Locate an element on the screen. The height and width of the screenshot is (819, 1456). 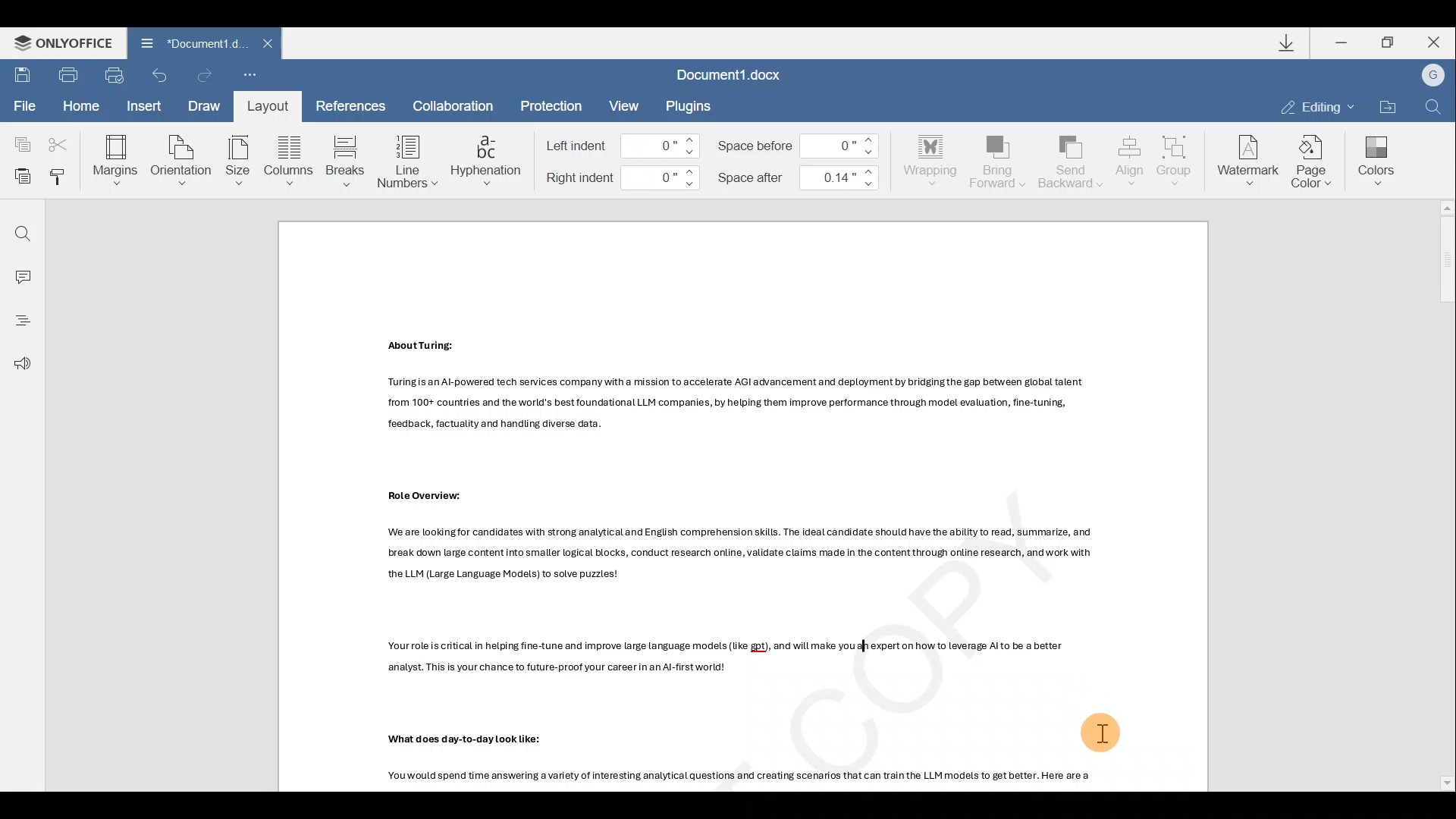
Close is located at coordinates (1432, 42).